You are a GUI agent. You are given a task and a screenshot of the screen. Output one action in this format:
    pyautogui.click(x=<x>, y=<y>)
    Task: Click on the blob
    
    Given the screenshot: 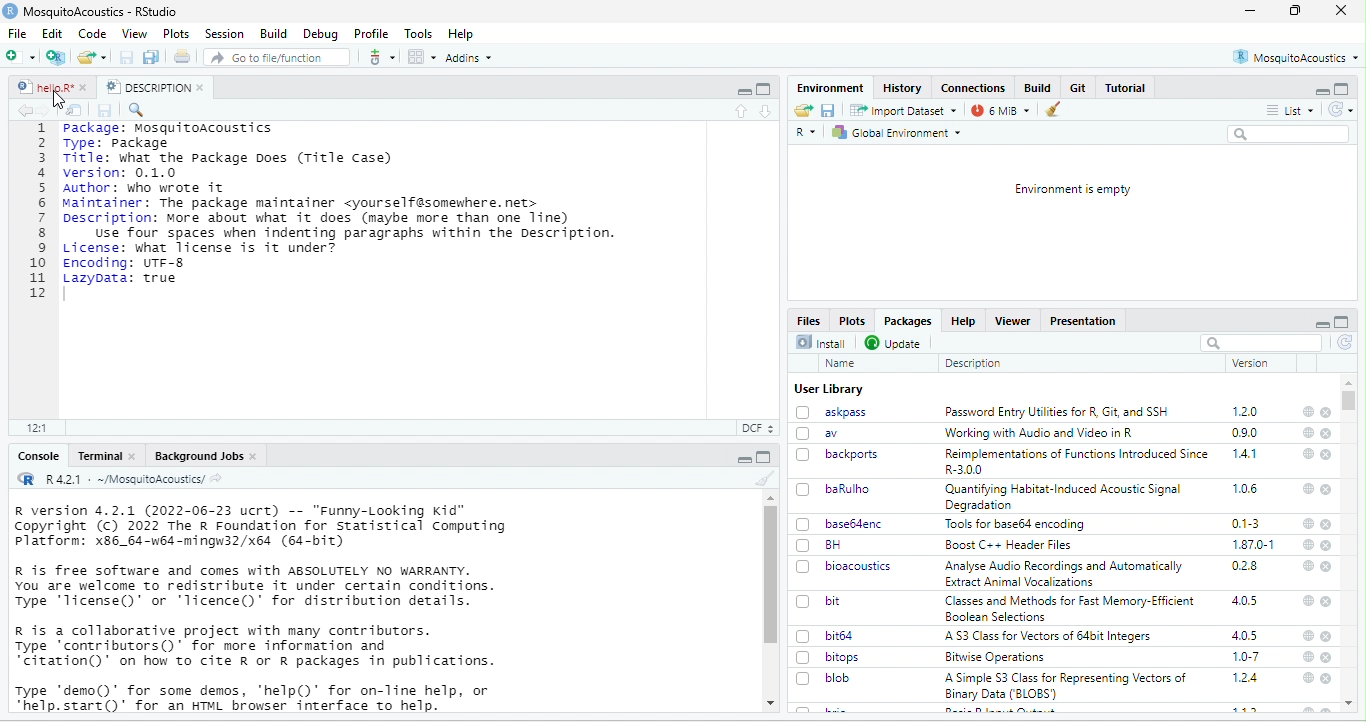 What is the action you would take?
    pyautogui.click(x=827, y=678)
    